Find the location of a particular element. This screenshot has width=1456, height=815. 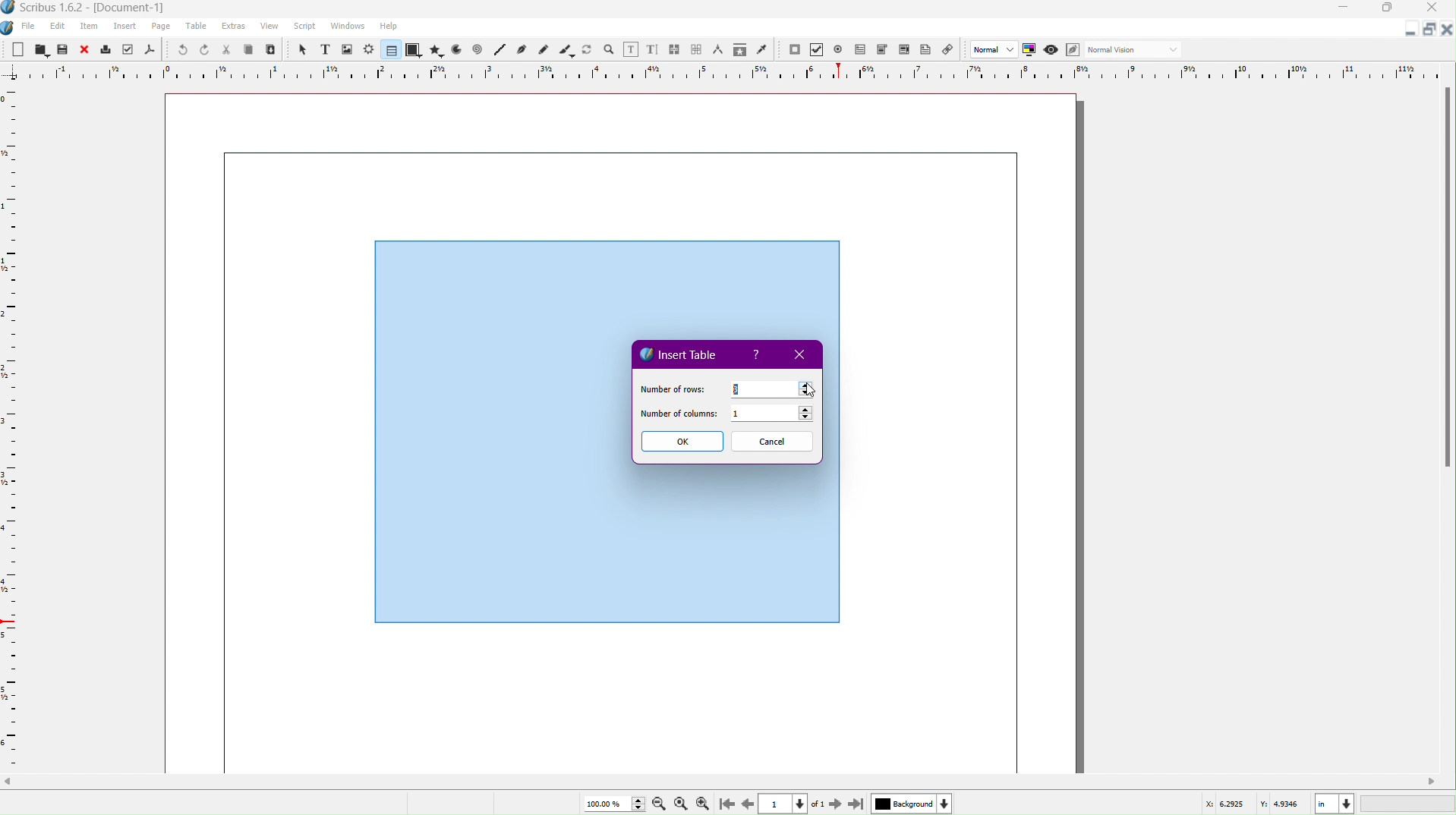

Undo is located at coordinates (178, 49).